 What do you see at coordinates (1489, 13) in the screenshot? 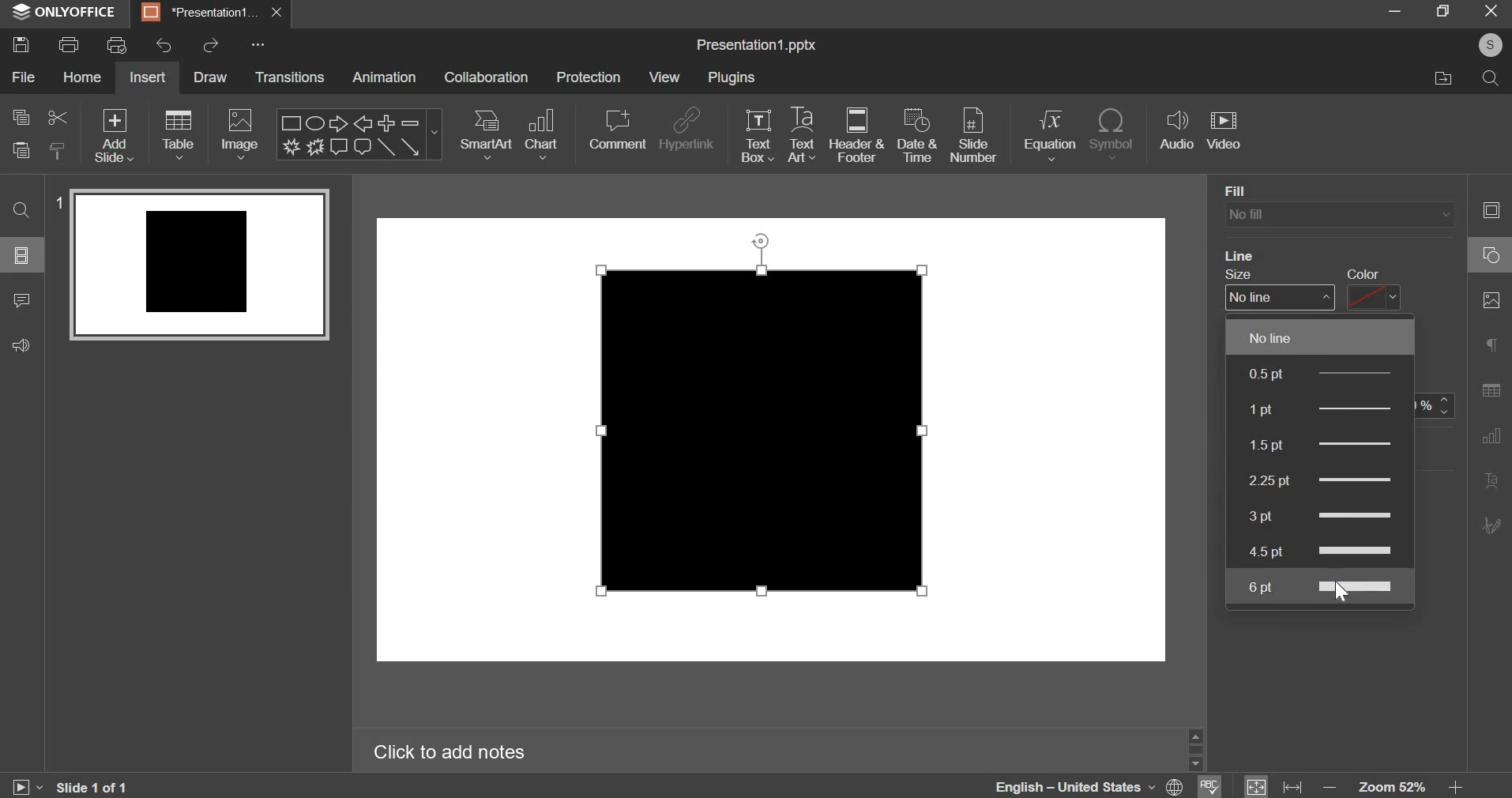
I see `exit` at bounding box center [1489, 13].